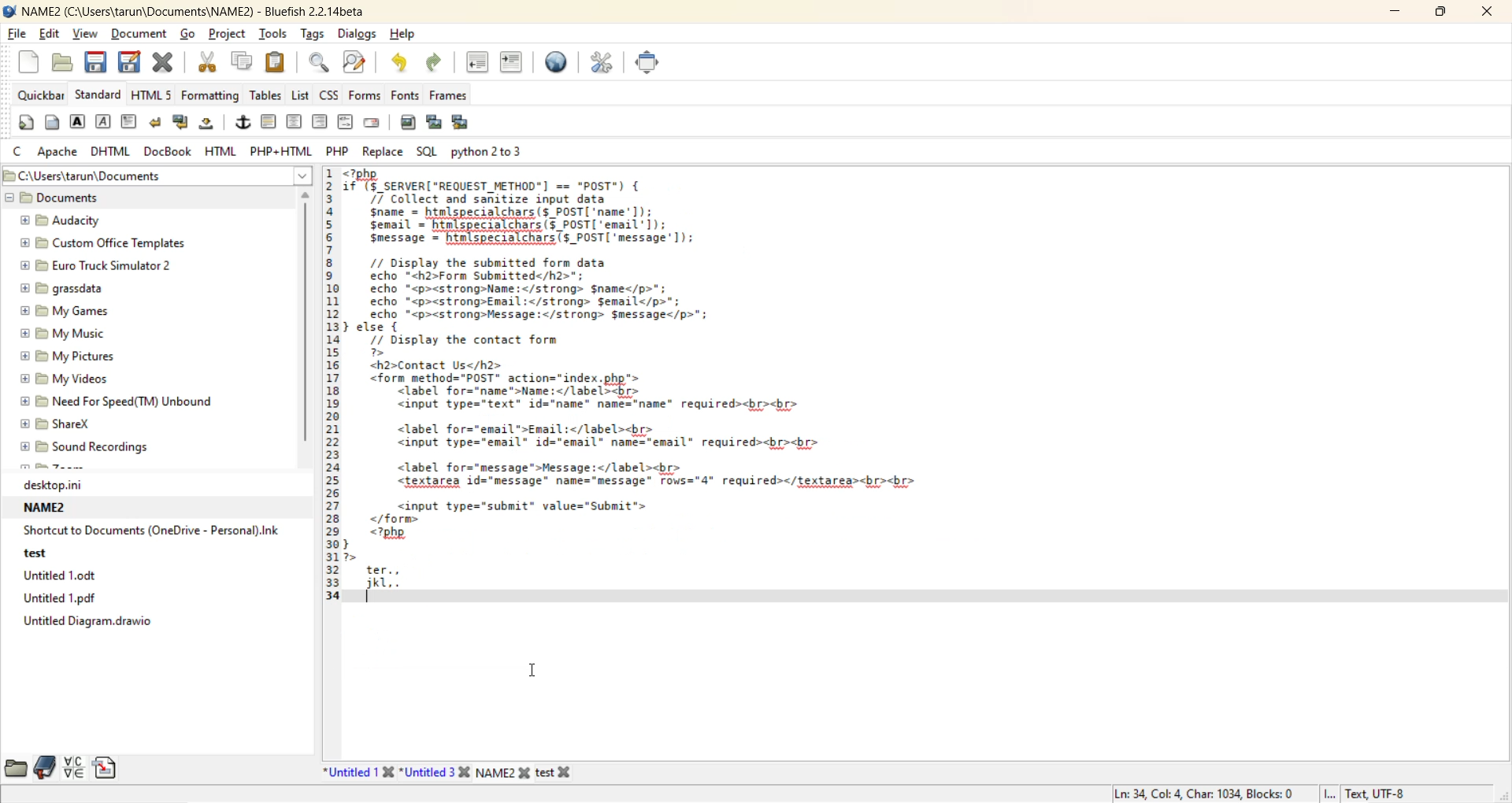  What do you see at coordinates (604, 62) in the screenshot?
I see `edit preferences` at bounding box center [604, 62].